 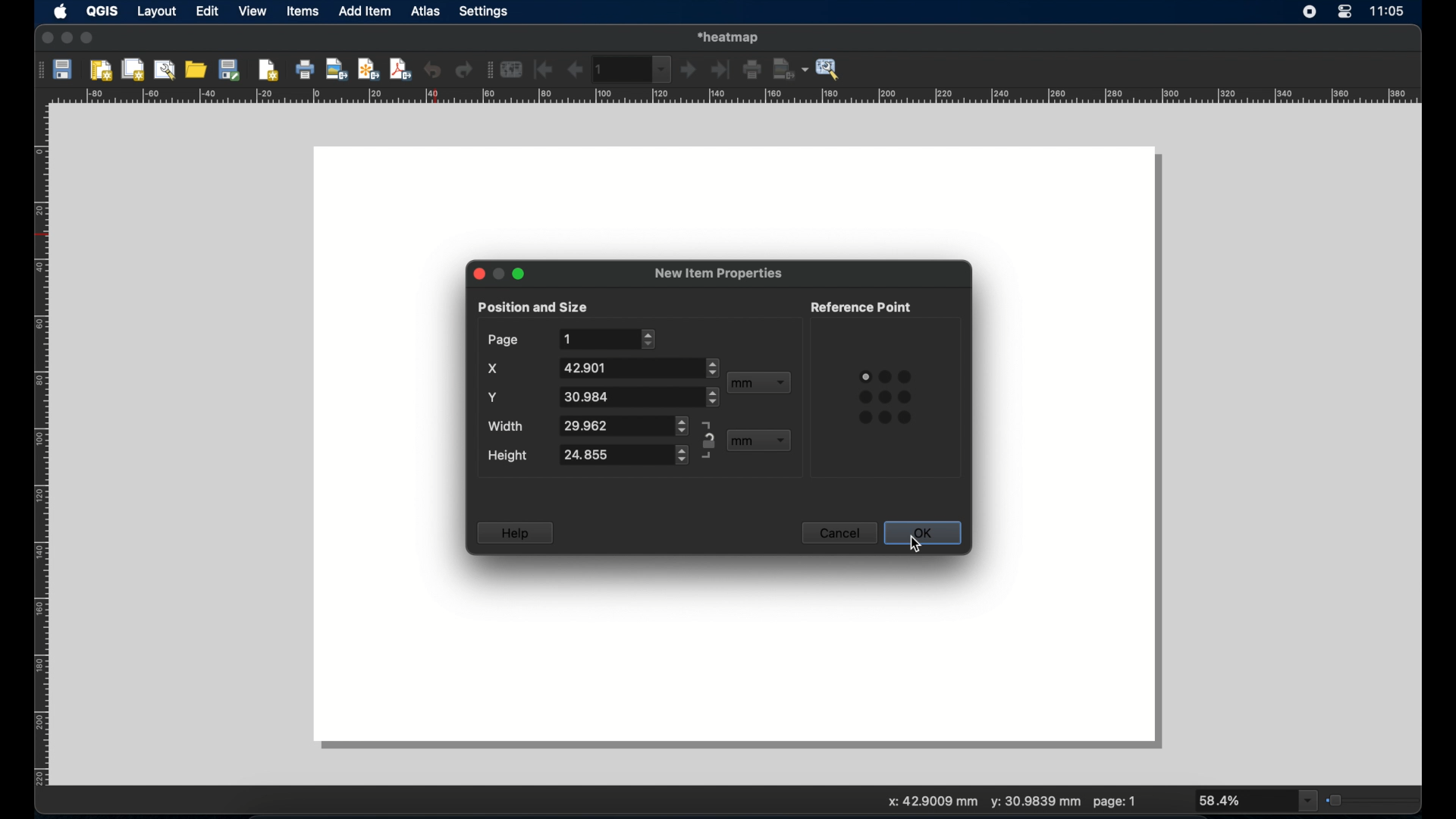 I want to click on screen recorder, so click(x=1310, y=13).